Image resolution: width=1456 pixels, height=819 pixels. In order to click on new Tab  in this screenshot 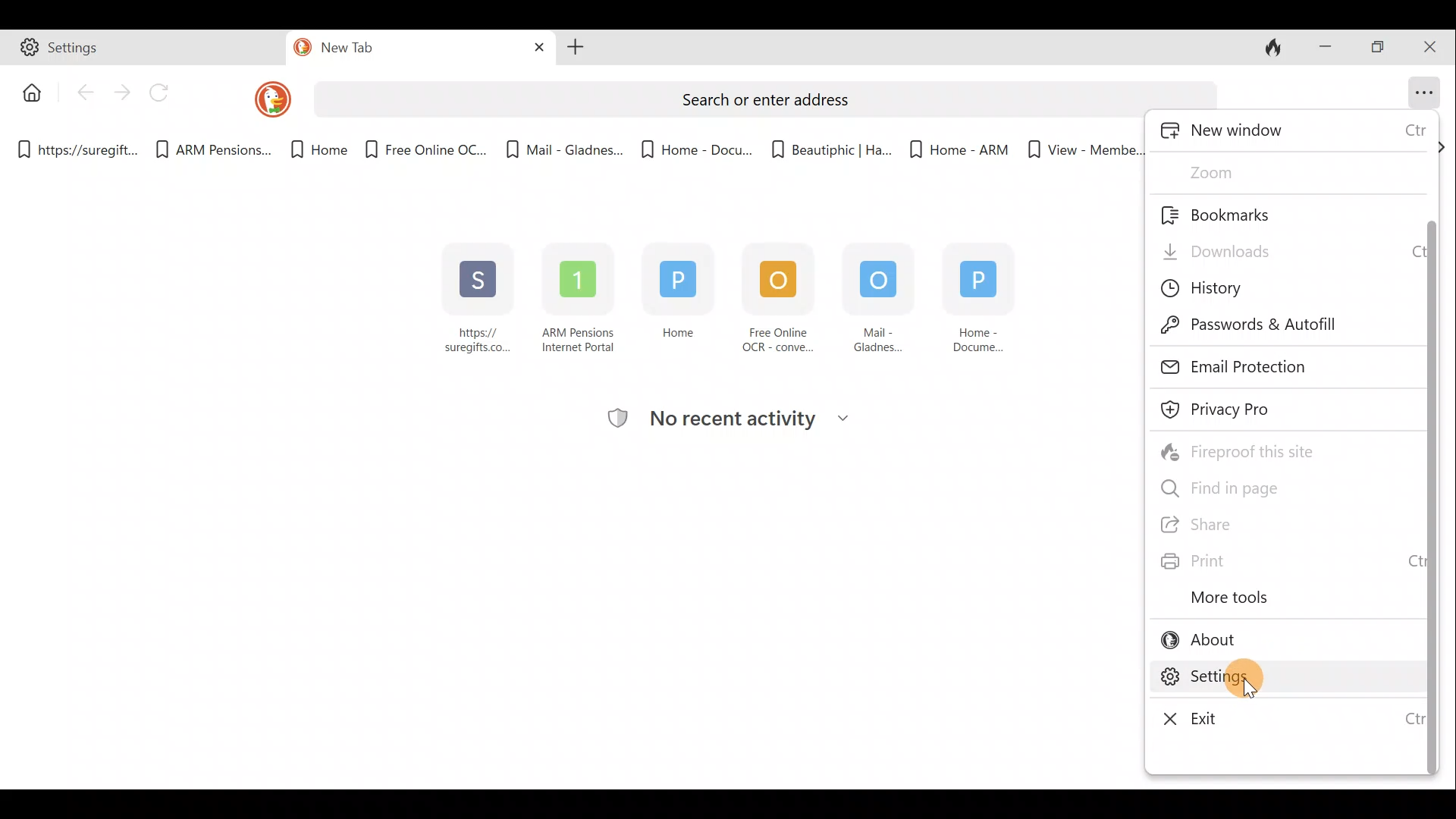, I will do `click(419, 48)`.